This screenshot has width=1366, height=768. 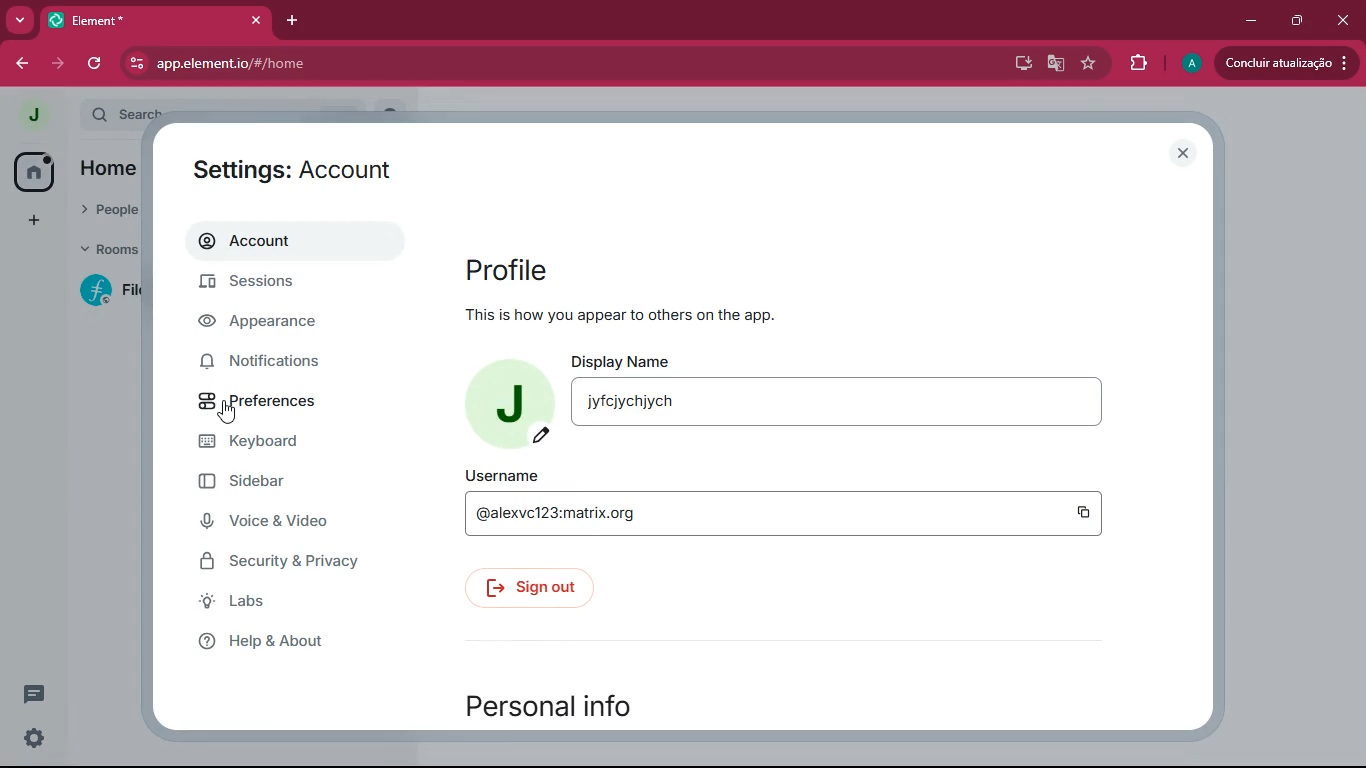 I want to click on cursor, so click(x=232, y=416).